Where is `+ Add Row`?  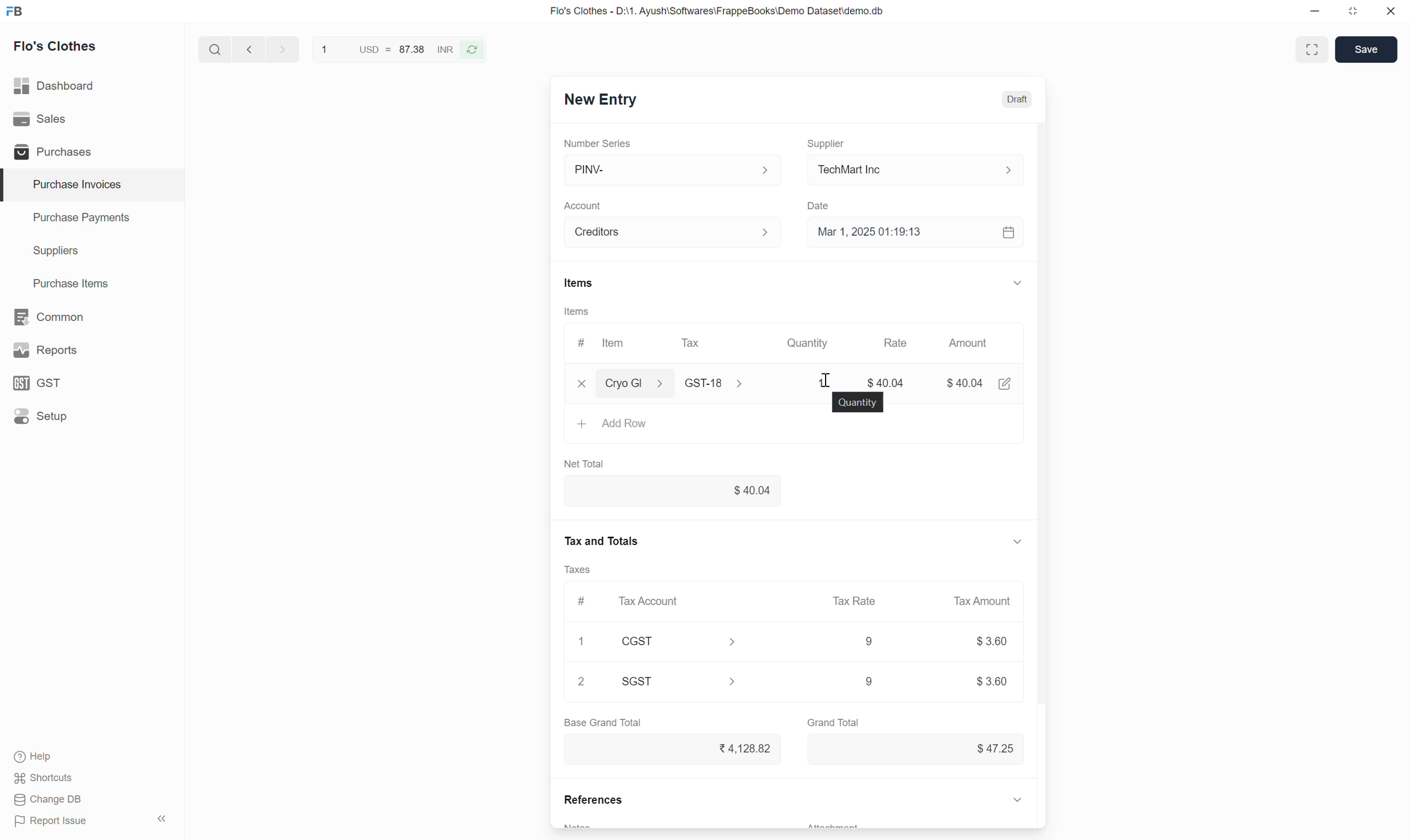 + Add Row is located at coordinates (616, 423).